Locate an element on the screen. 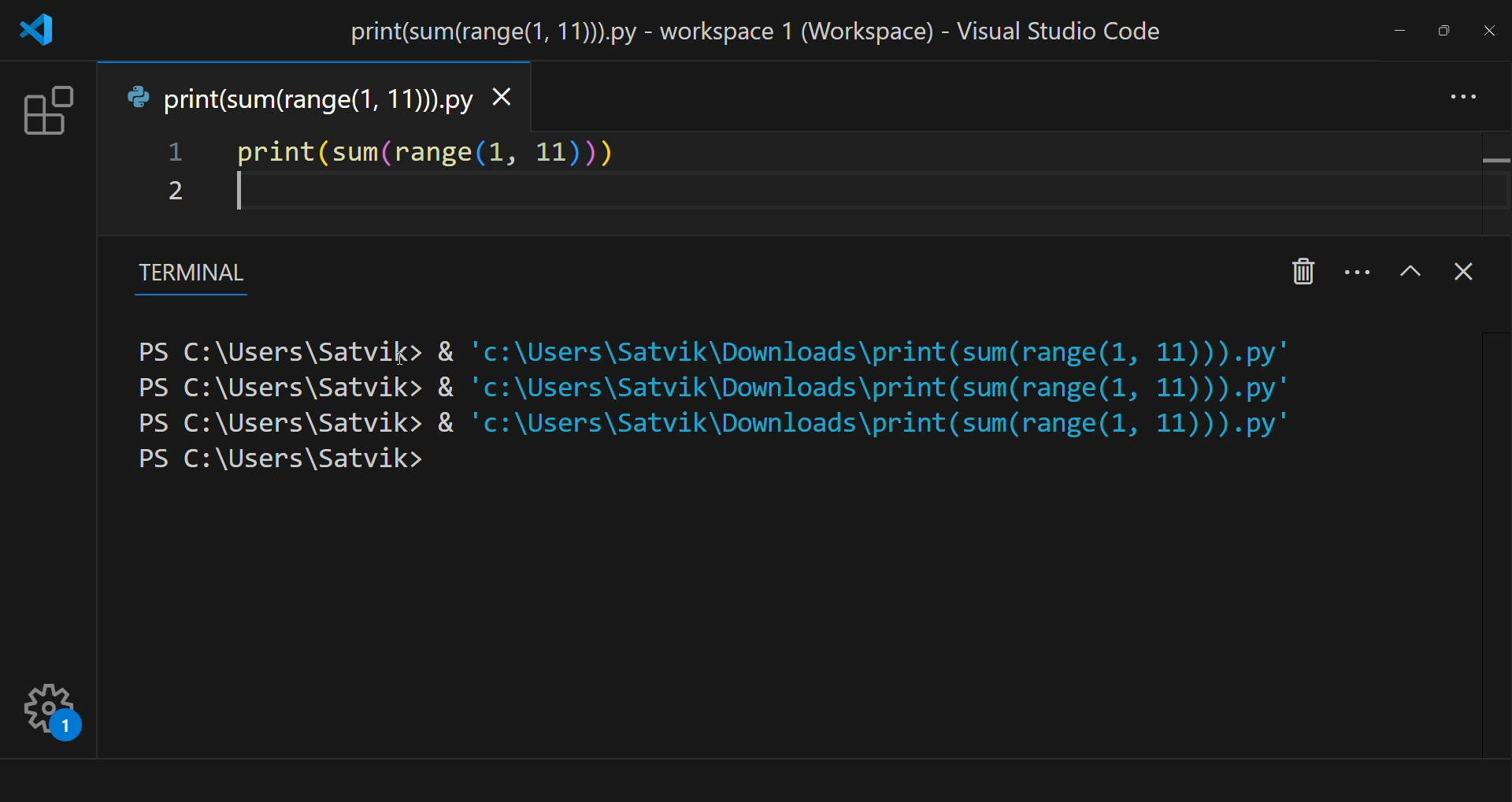 This screenshot has width=1512, height=802. minimize is located at coordinates (1395, 31).